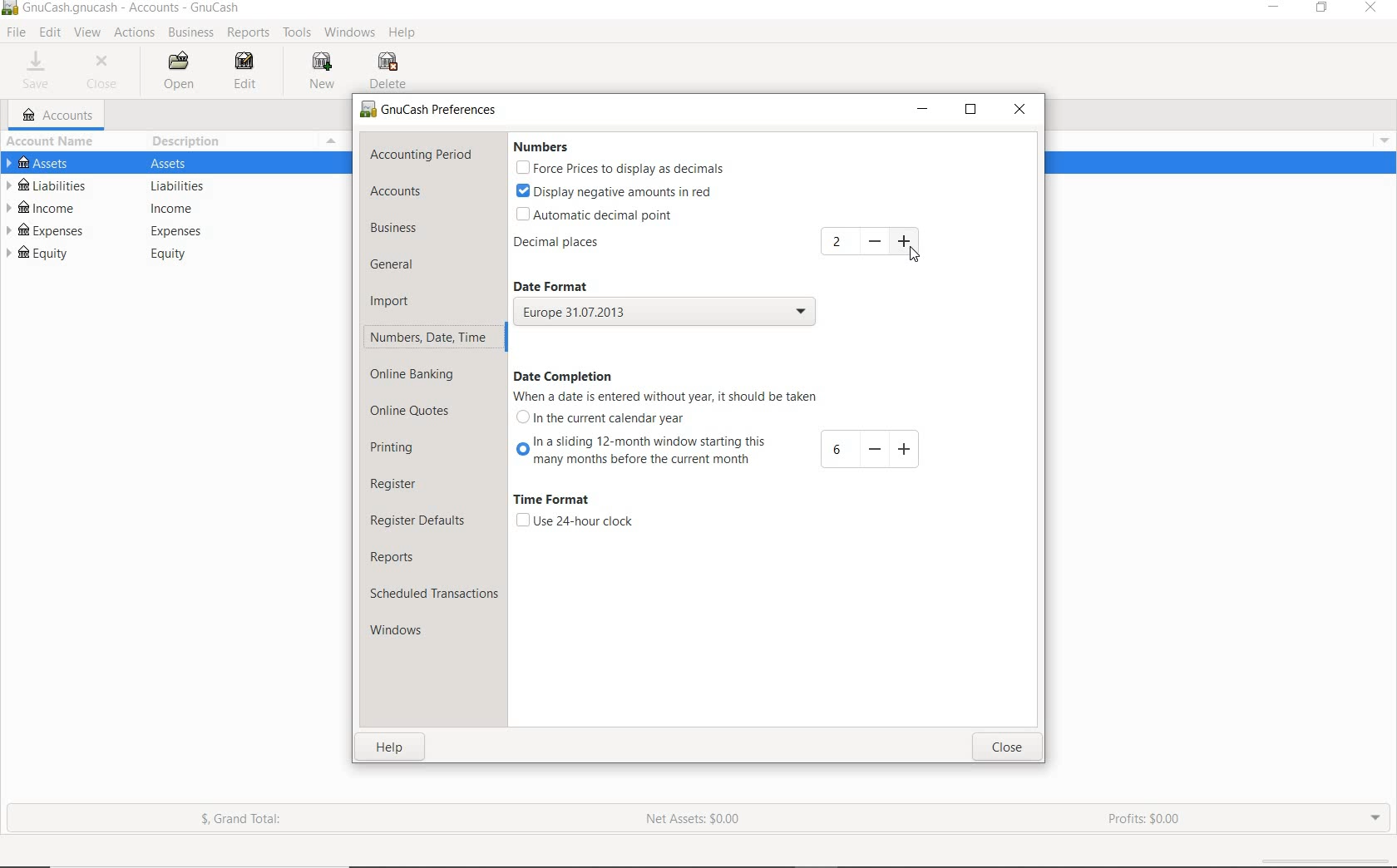 Image resolution: width=1397 pixels, height=868 pixels. What do you see at coordinates (875, 242) in the screenshot?
I see `-` at bounding box center [875, 242].